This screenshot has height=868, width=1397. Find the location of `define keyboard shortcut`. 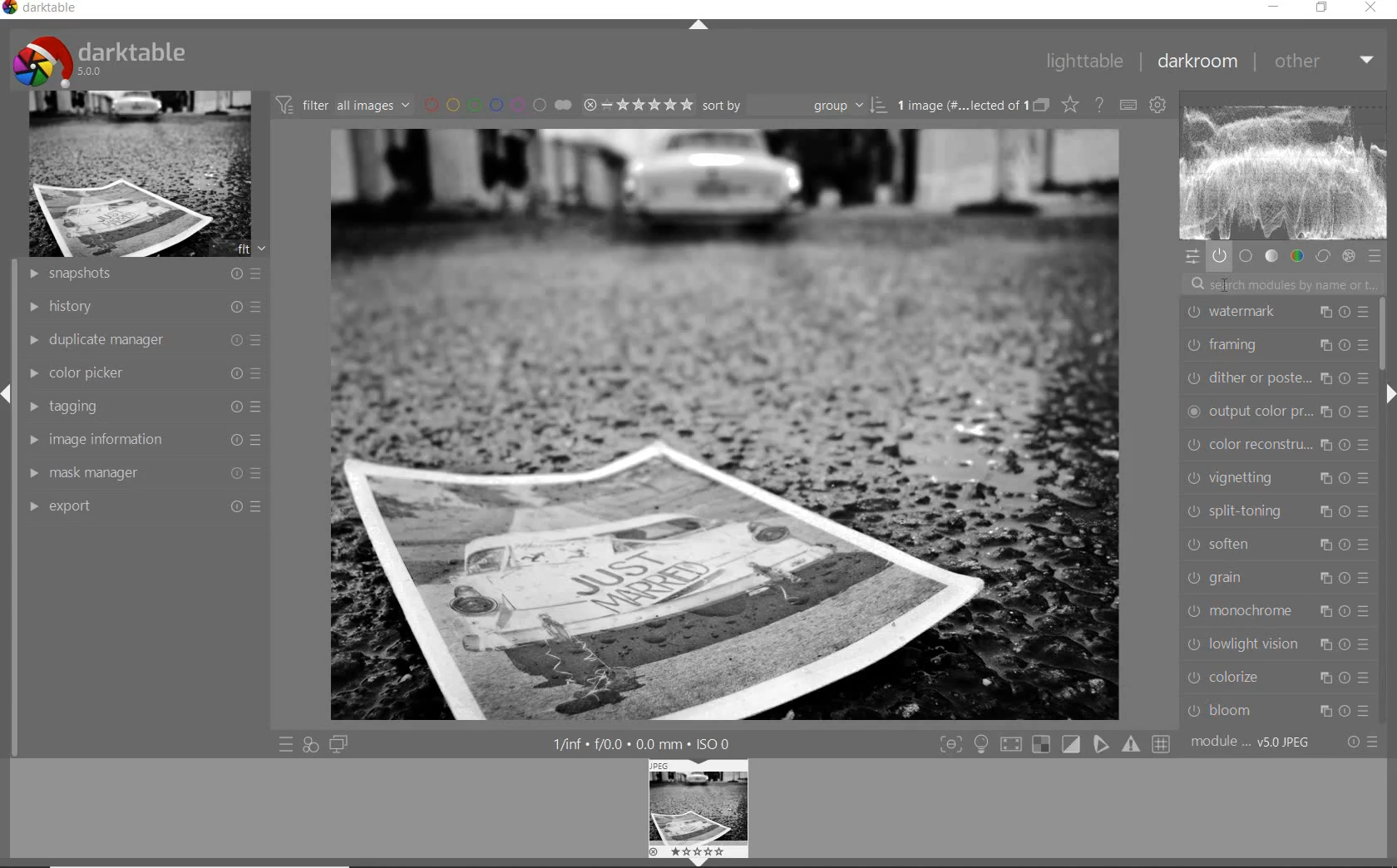

define keyboard shortcut is located at coordinates (1128, 104).